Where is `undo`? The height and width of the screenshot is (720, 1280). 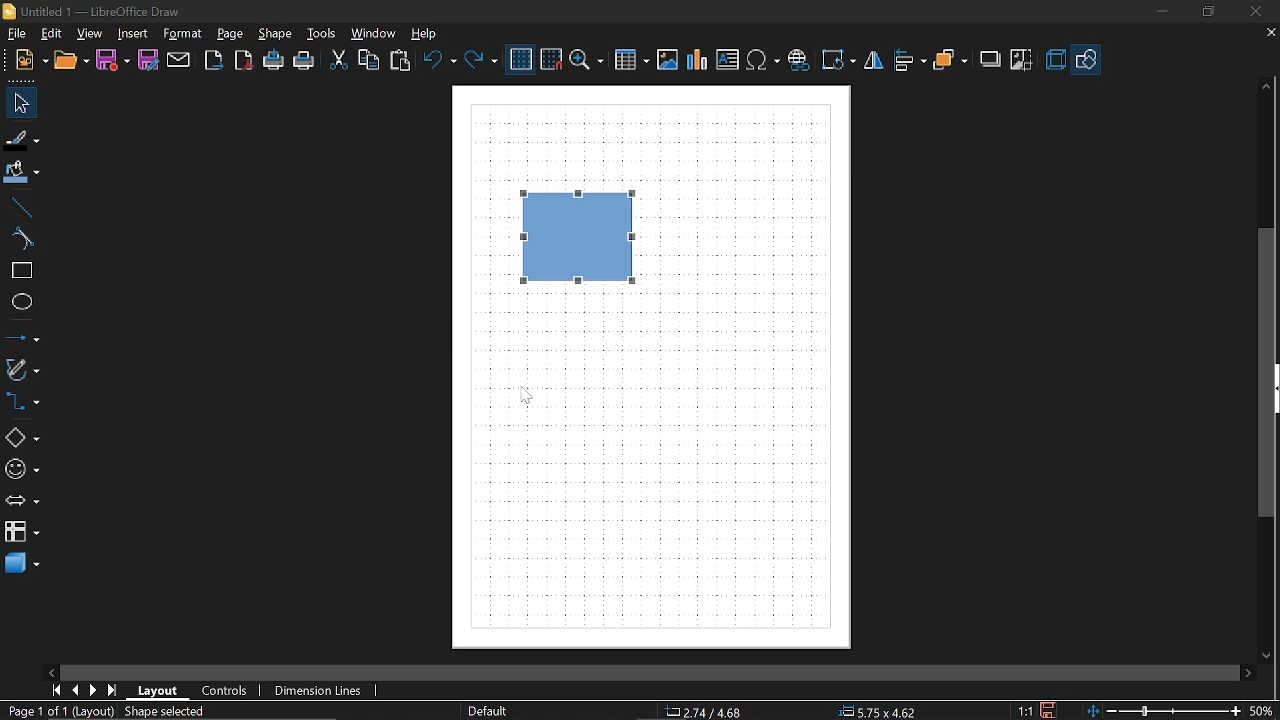 undo is located at coordinates (439, 60).